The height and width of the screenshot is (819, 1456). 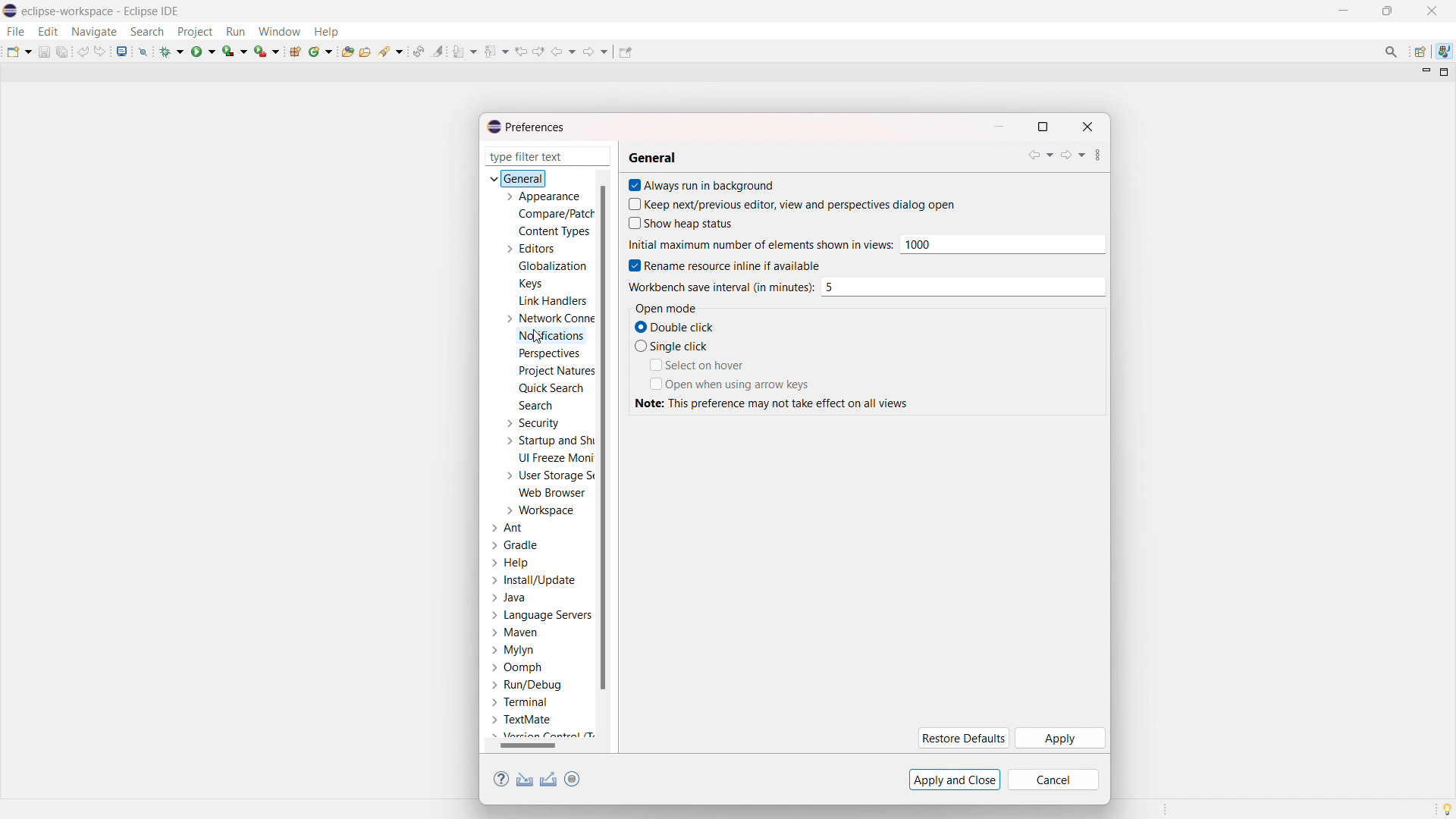 What do you see at coordinates (653, 383) in the screenshot?
I see `Checkbox` at bounding box center [653, 383].